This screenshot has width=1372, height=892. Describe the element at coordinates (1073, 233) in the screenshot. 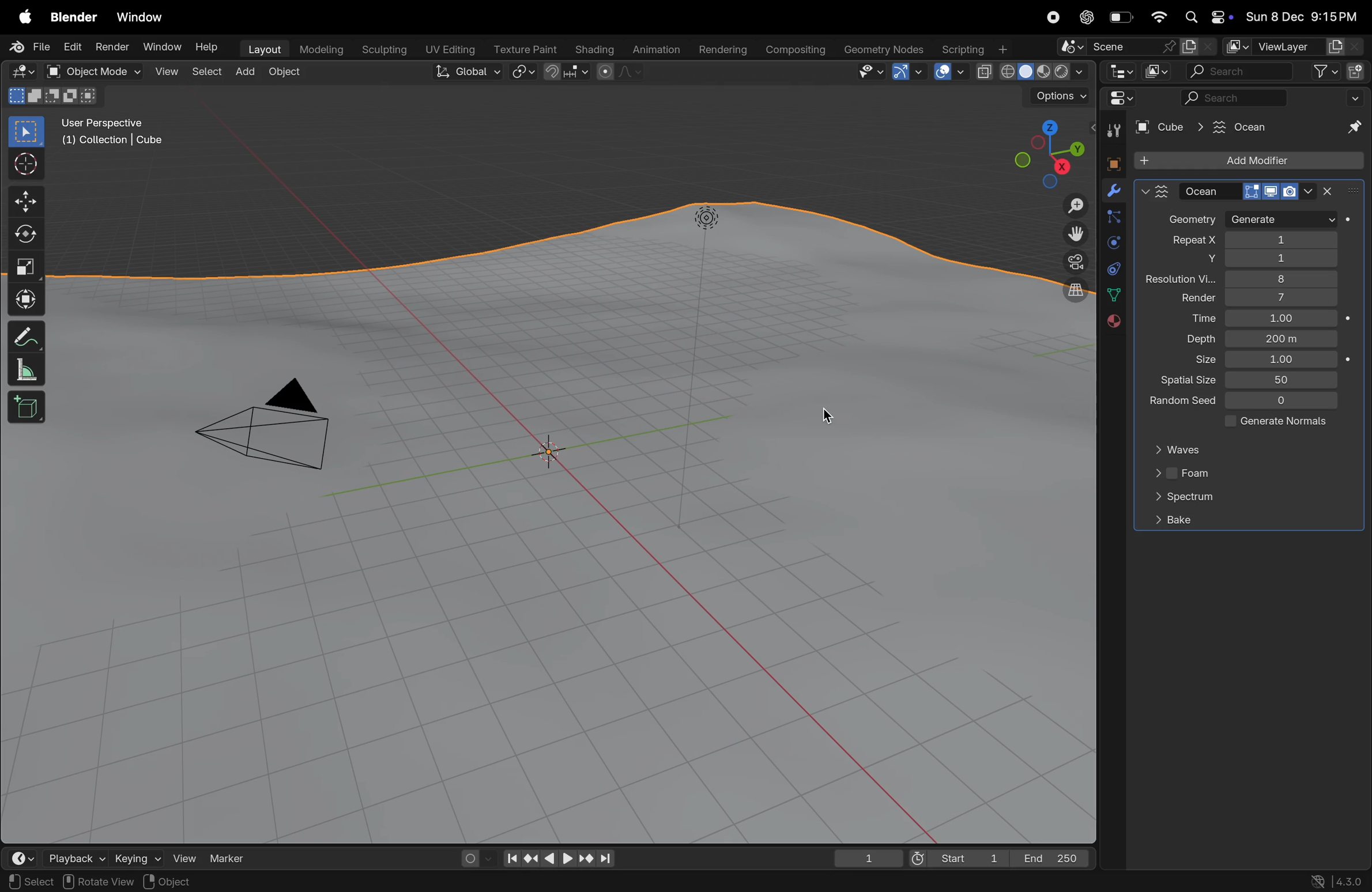

I see `move the view` at that location.